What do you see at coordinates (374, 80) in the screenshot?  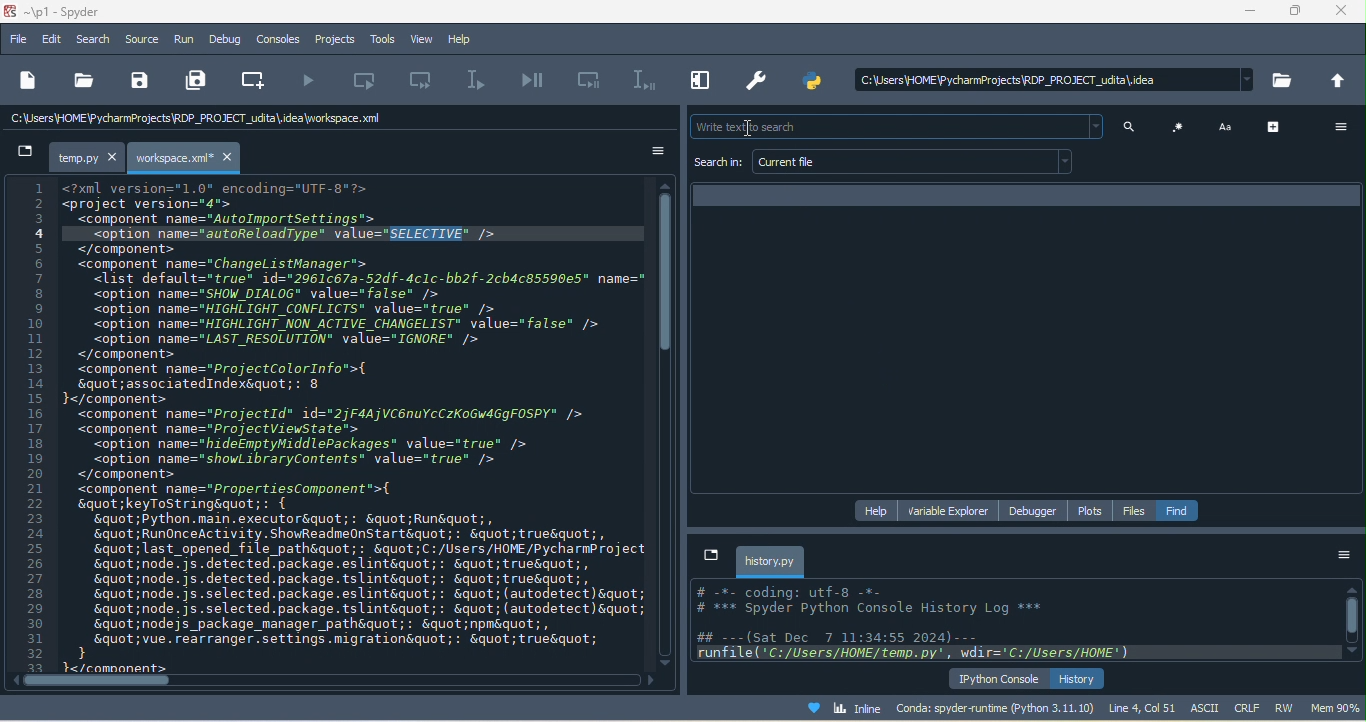 I see `run current cell` at bounding box center [374, 80].